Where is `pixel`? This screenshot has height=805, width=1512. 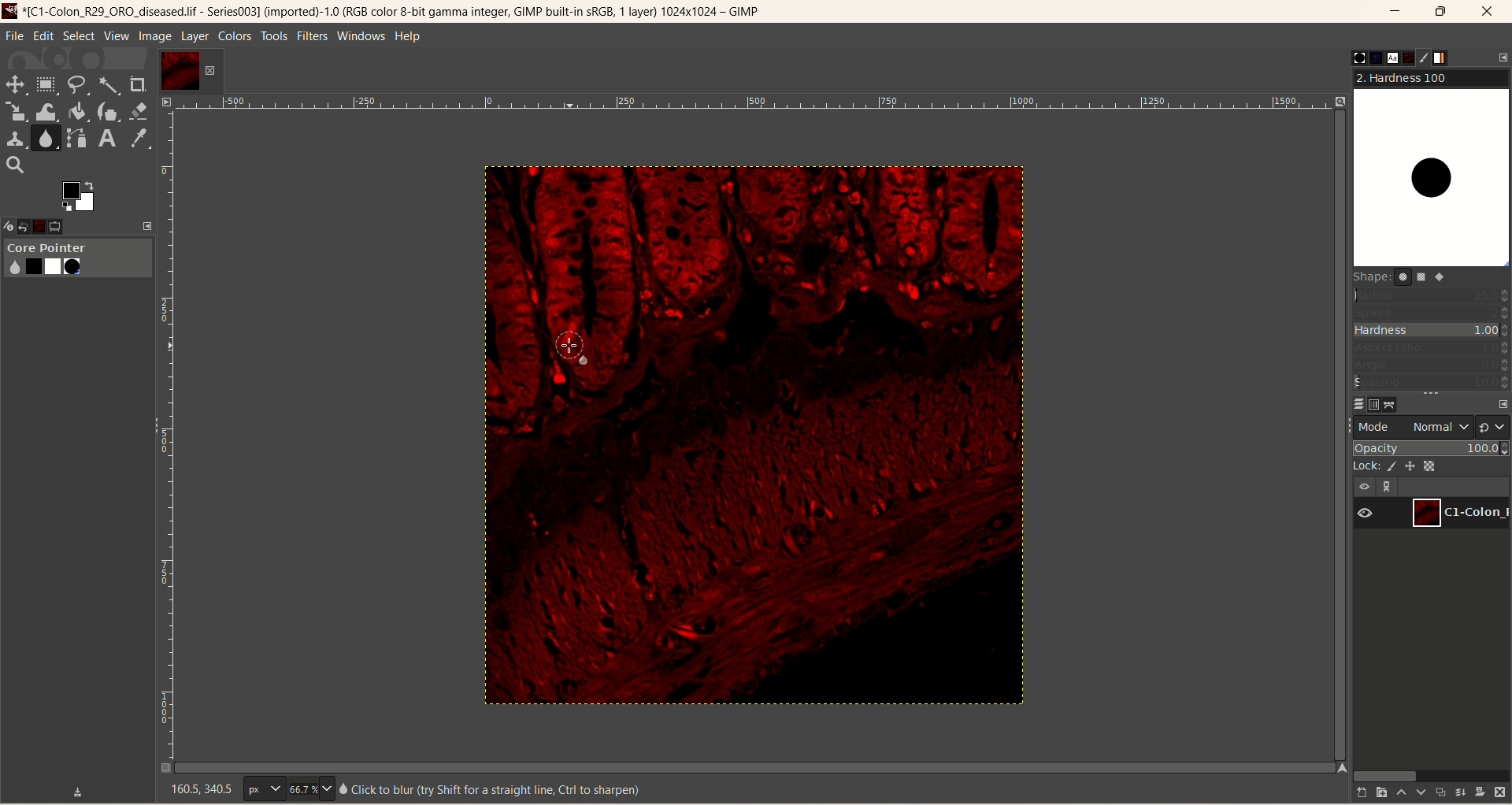 pixel is located at coordinates (264, 790).